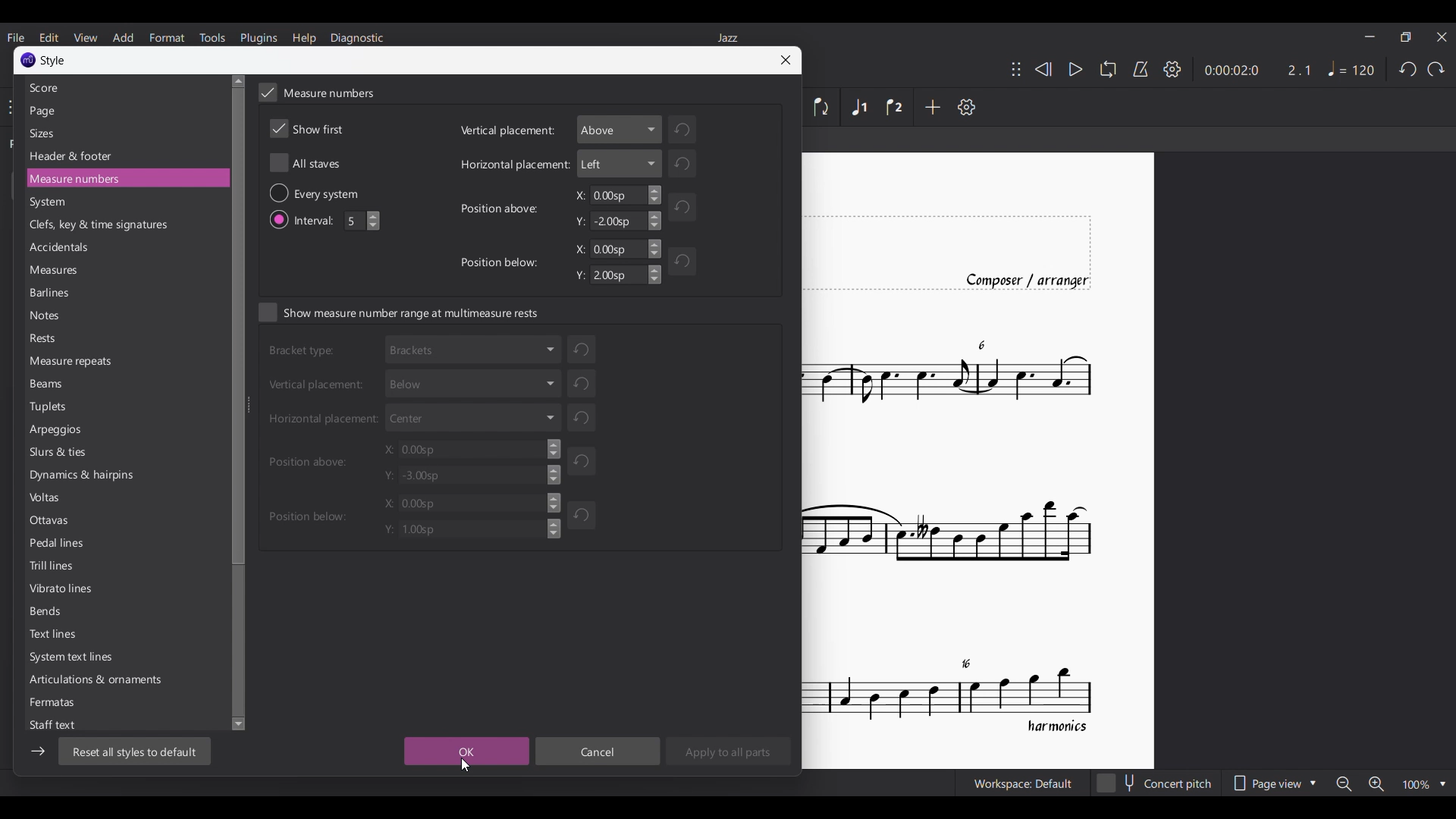 The height and width of the screenshot is (819, 1456). I want to click on Clefs, so click(99, 226).